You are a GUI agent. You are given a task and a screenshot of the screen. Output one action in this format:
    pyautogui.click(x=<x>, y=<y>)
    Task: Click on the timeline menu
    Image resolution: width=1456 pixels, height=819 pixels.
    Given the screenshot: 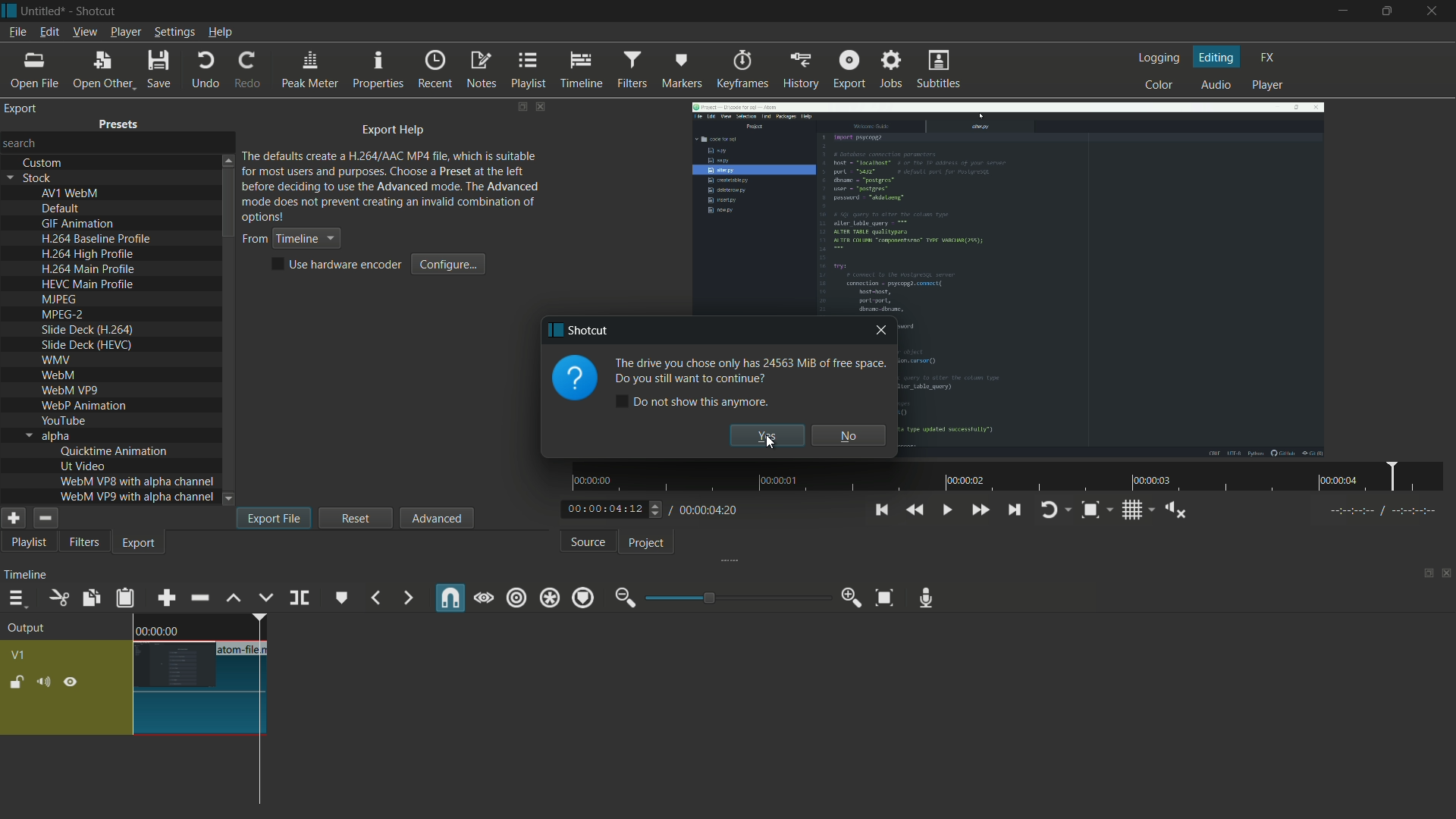 What is the action you would take?
    pyautogui.click(x=17, y=599)
    